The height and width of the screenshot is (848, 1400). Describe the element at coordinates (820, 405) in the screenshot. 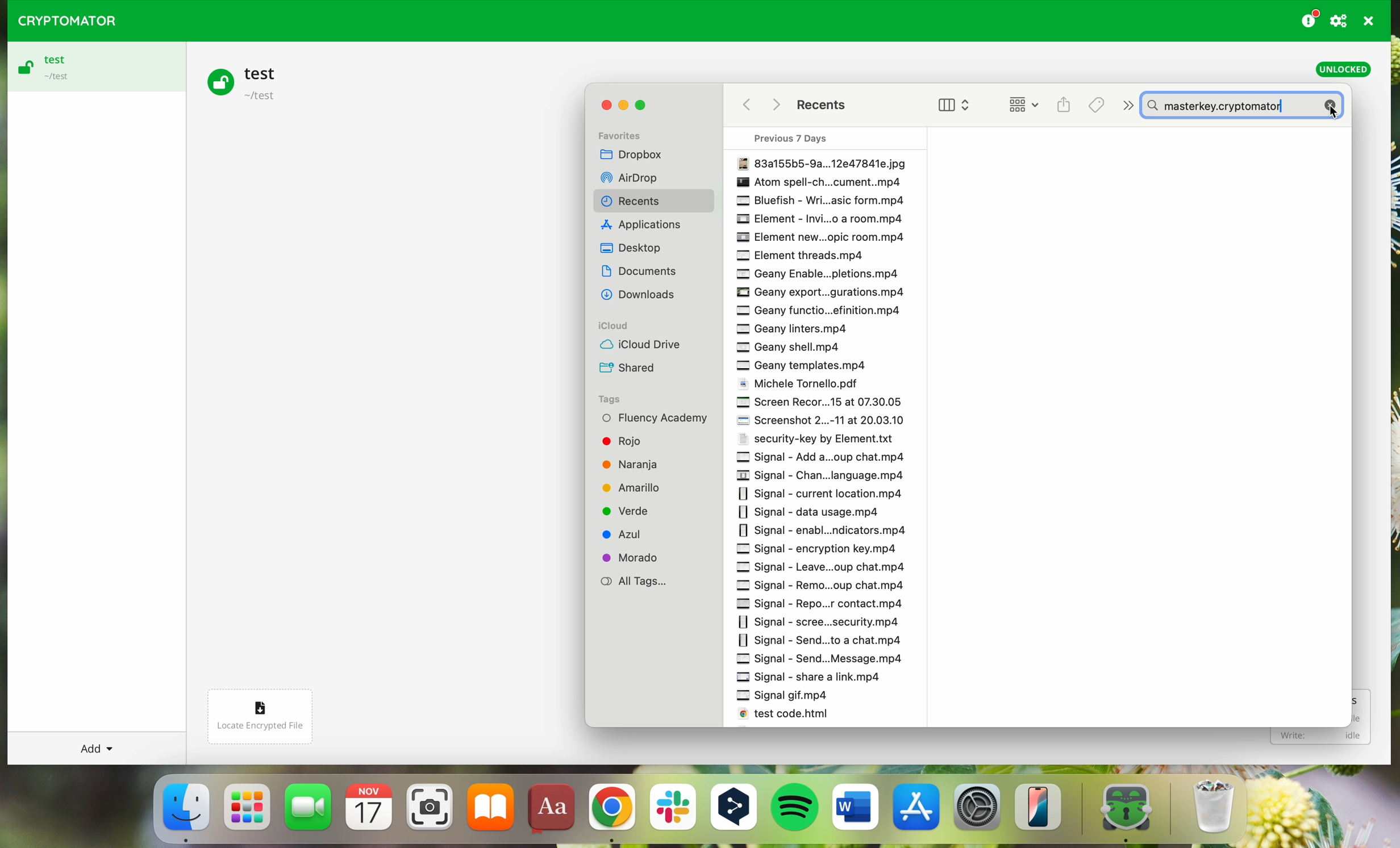

I see `Screen Record` at that location.